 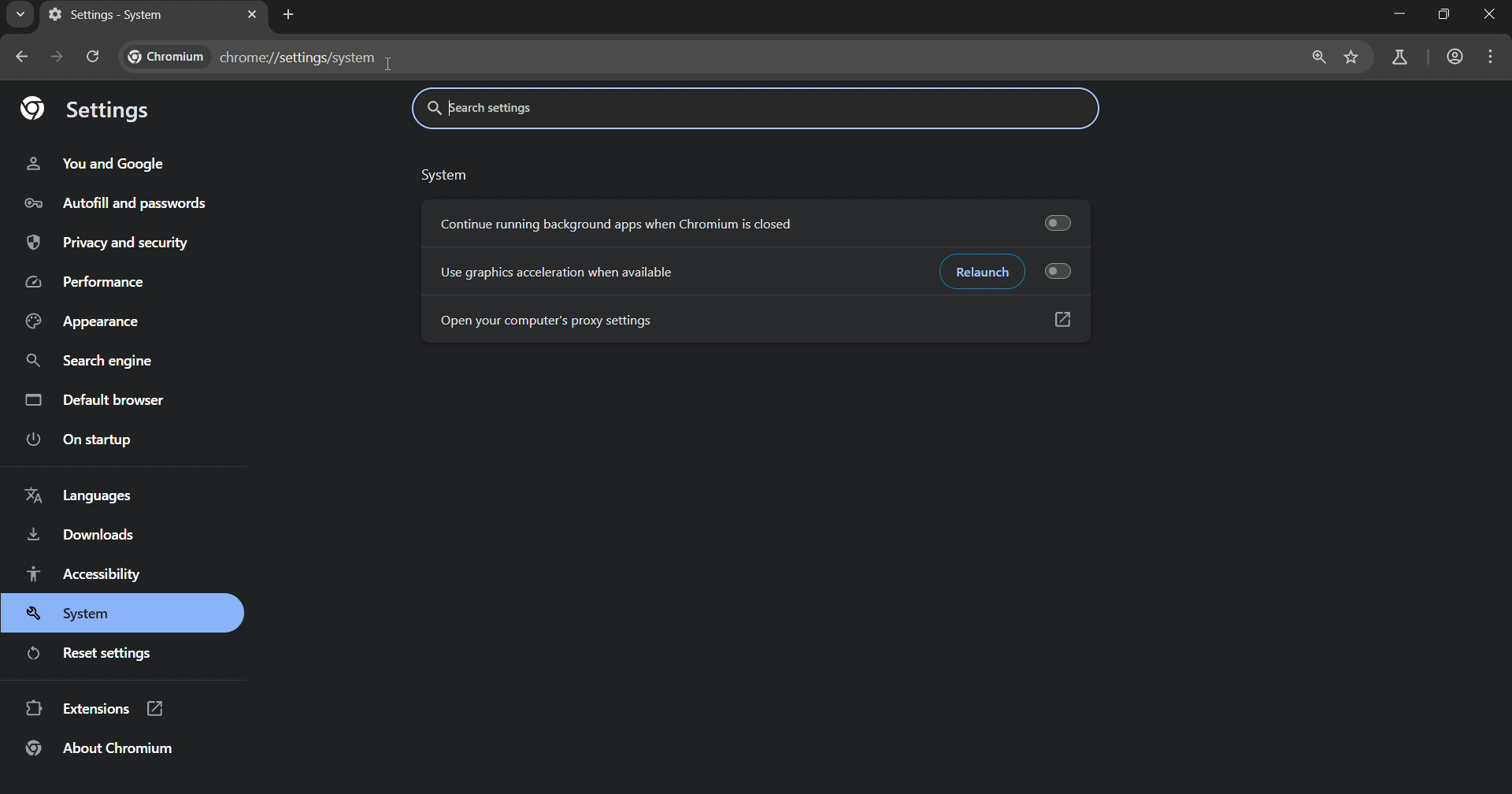 I want to click on performance, so click(x=88, y=282).